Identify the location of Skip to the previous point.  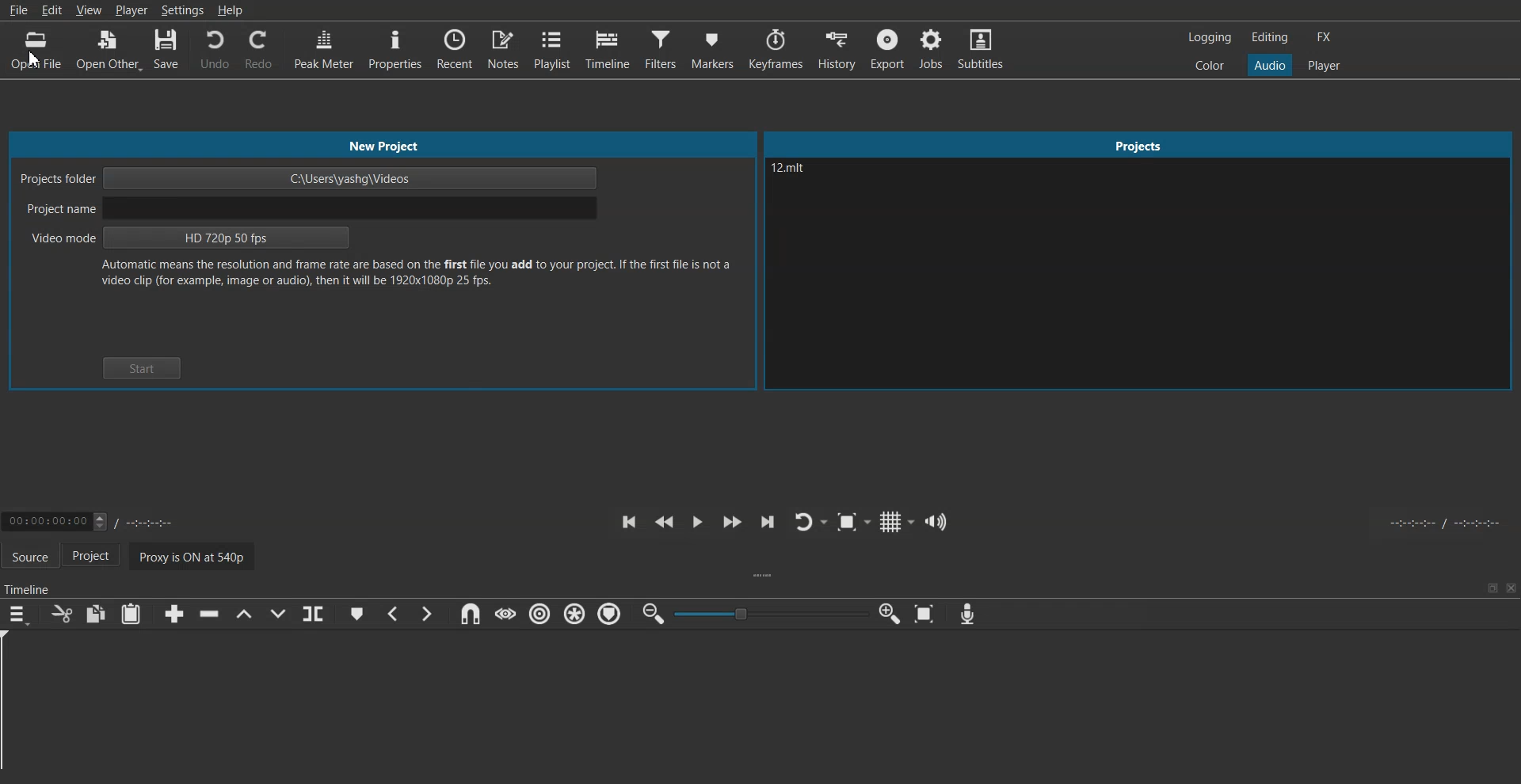
(627, 521).